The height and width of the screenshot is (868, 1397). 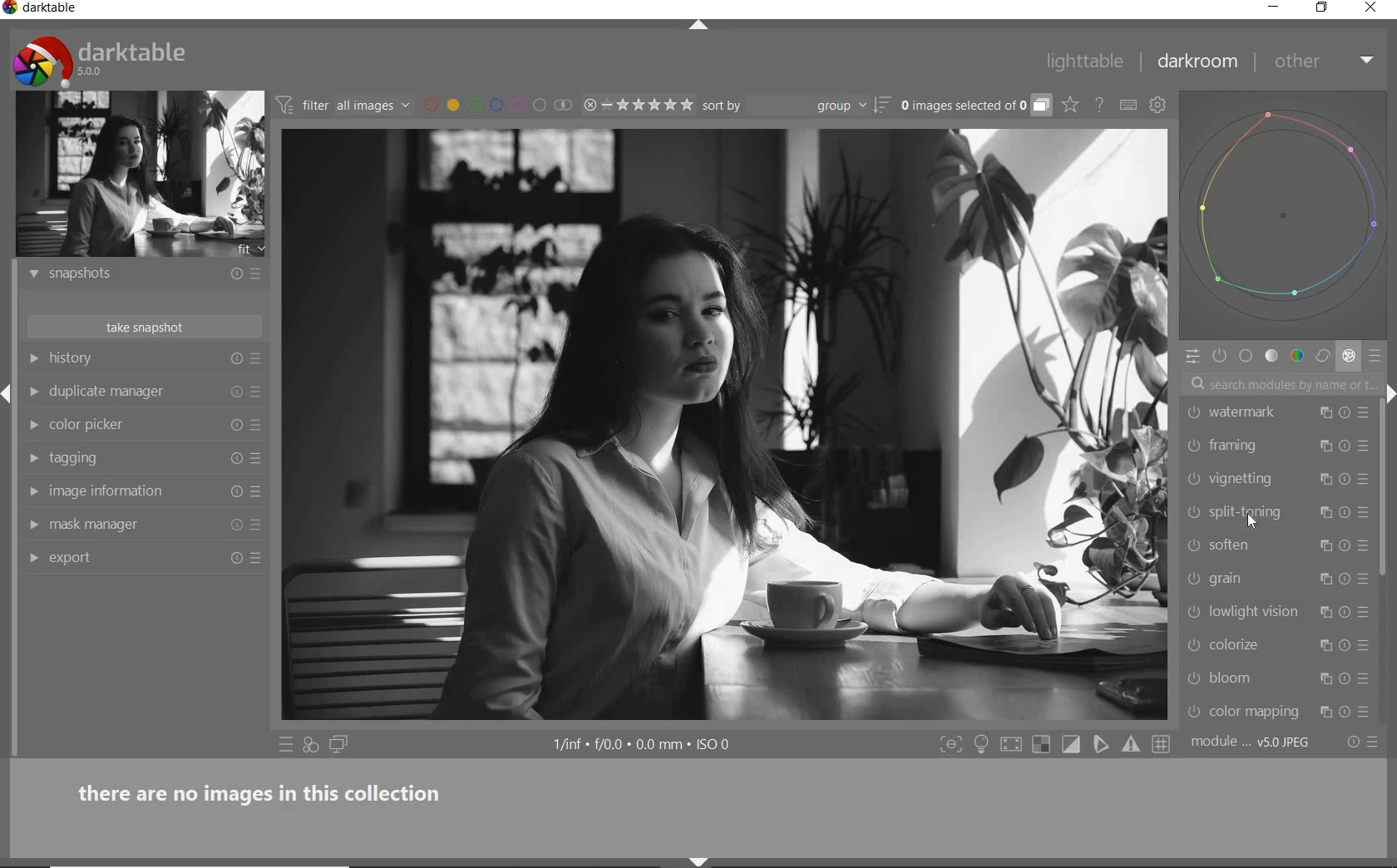 What do you see at coordinates (1364, 512) in the screenshot?
I see `preset and preferences` at bounding box center [1364, 512].